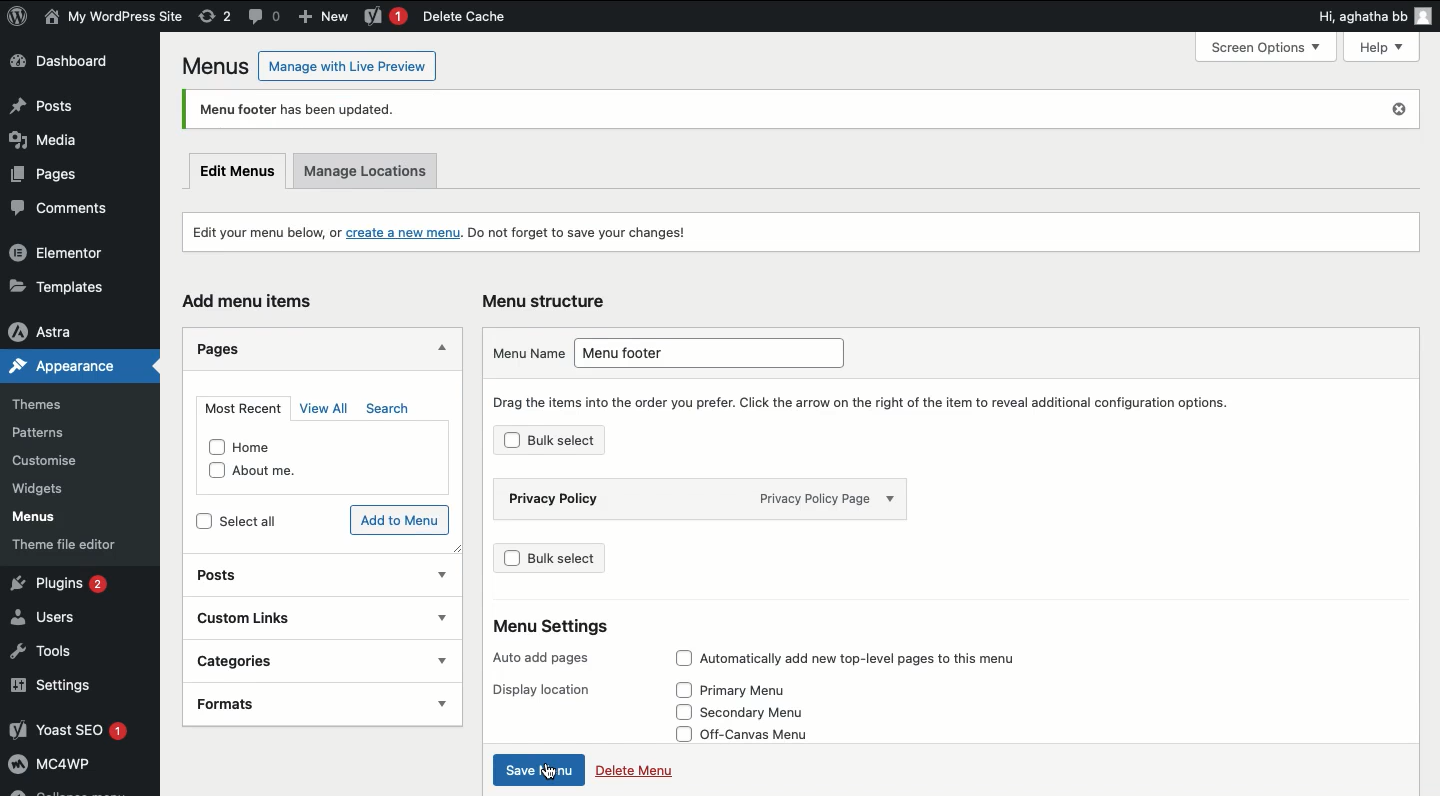 This screenshot has height=796, width=1440. What do you see at coordinates (548, 623) in the screenshot?
I see `Menu Settings` at bounding box center [548, 623].